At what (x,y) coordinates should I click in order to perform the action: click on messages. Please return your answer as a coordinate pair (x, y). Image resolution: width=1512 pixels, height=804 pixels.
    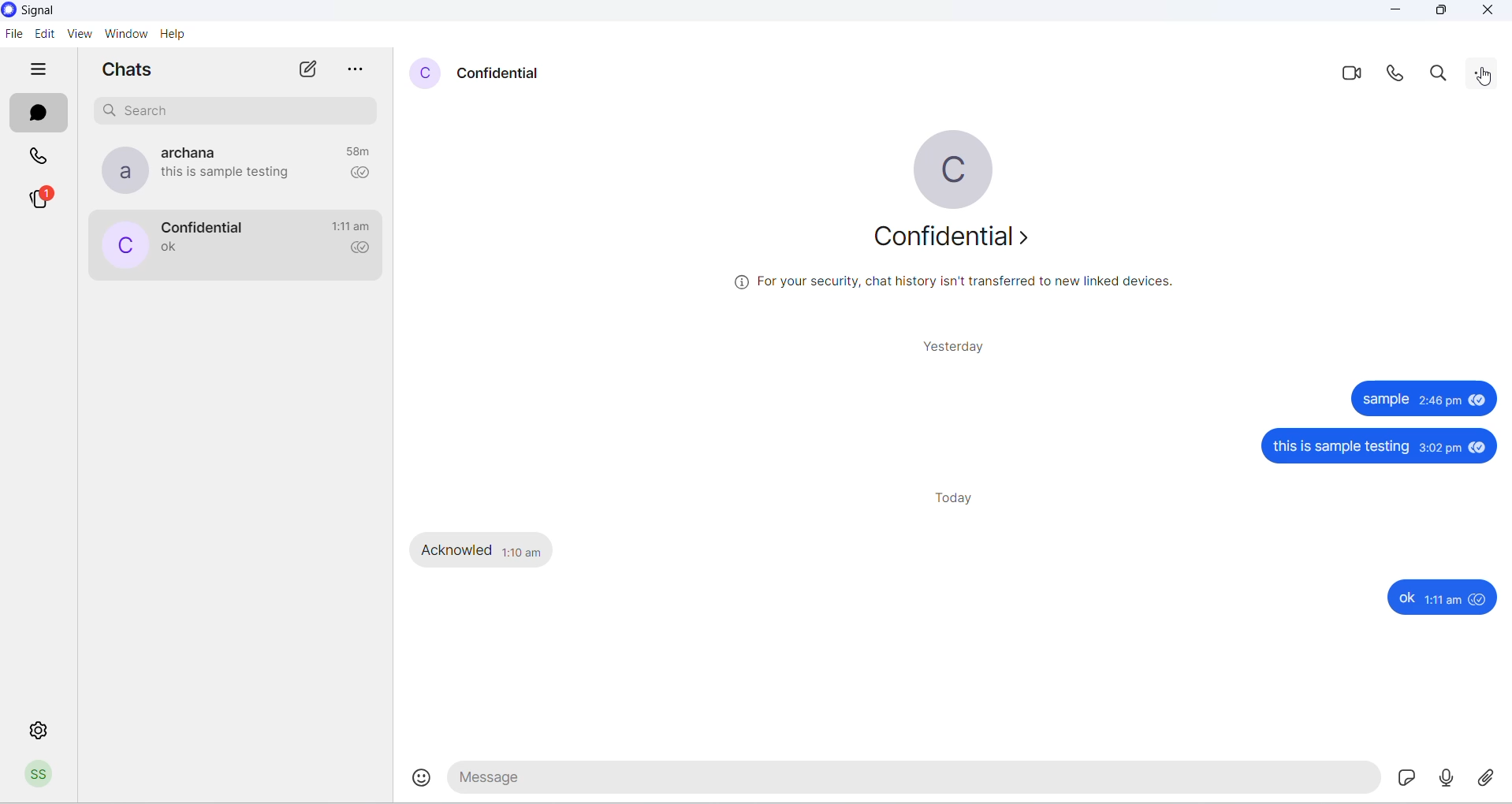
    Looking at the image, I should click on (37, 114).